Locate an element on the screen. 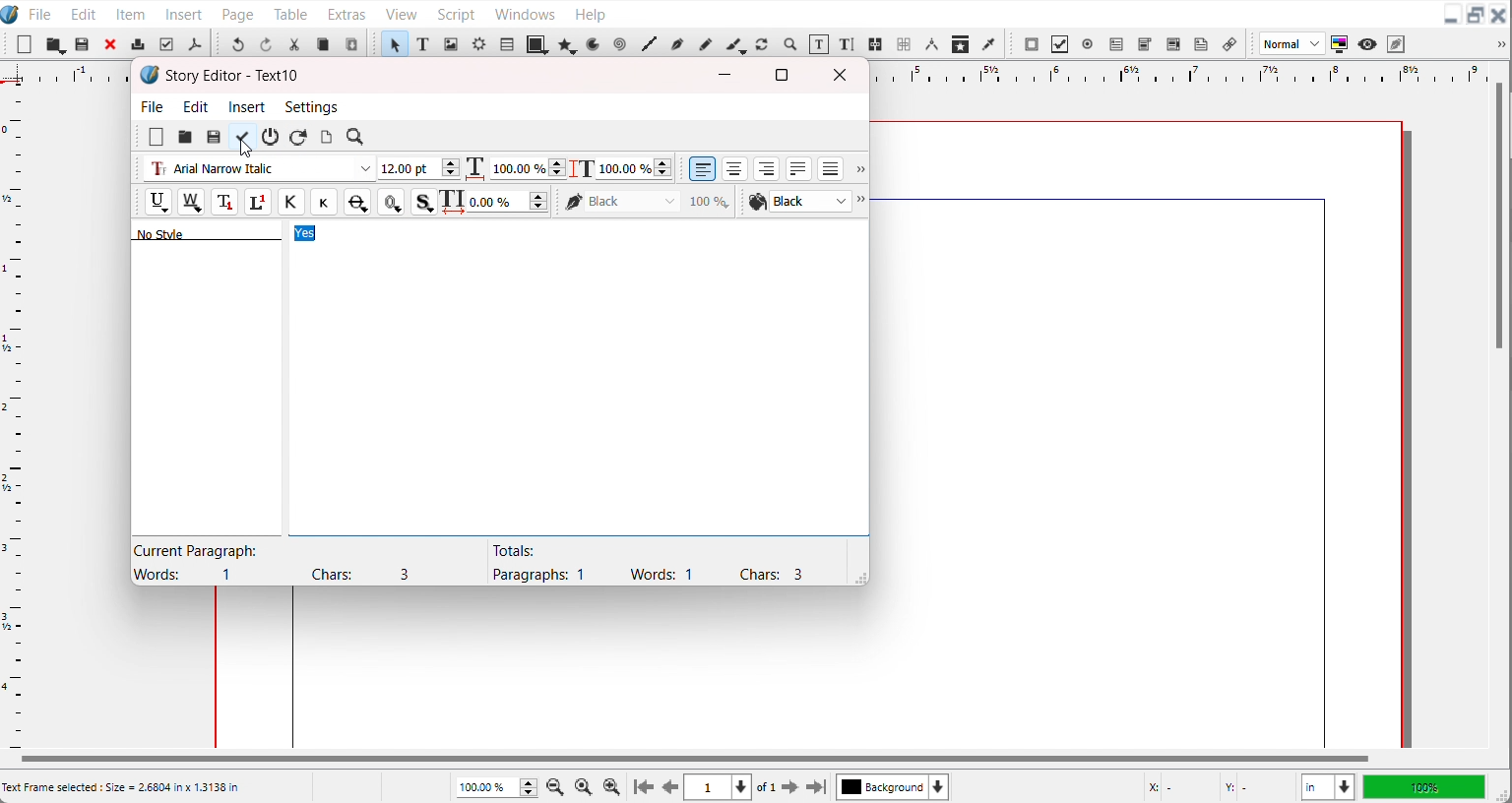 This screenshot has height=803, width=1512. PDF radio button is located at coordinates (1087, 44).